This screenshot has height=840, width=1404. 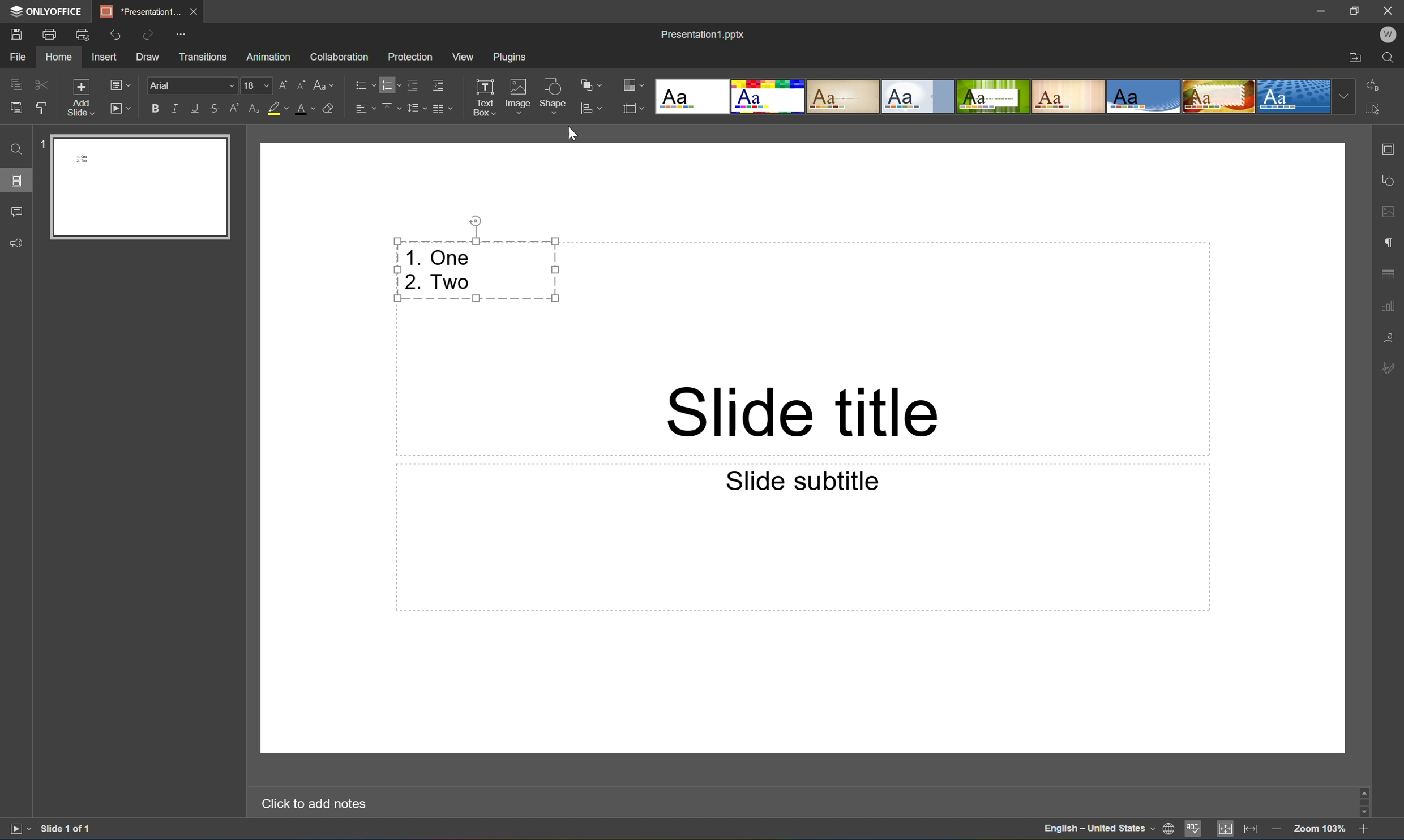 I want to click on Draw, so click(x=148, y=58).